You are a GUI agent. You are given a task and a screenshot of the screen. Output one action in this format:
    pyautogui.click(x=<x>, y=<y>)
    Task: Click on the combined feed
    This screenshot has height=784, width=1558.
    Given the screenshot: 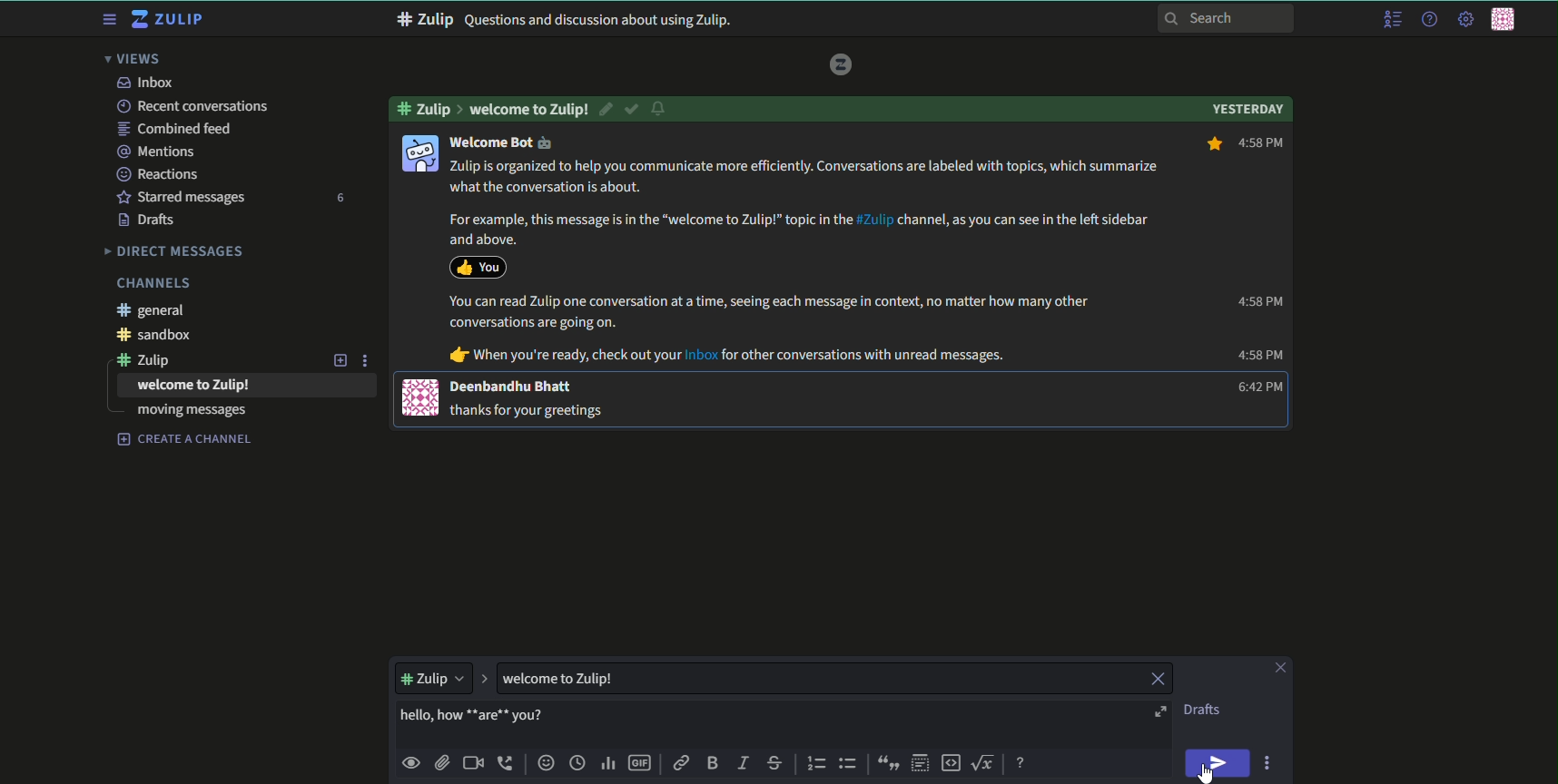 What is the action you would take?
    pyautogui.click(x=177, y=129)
    